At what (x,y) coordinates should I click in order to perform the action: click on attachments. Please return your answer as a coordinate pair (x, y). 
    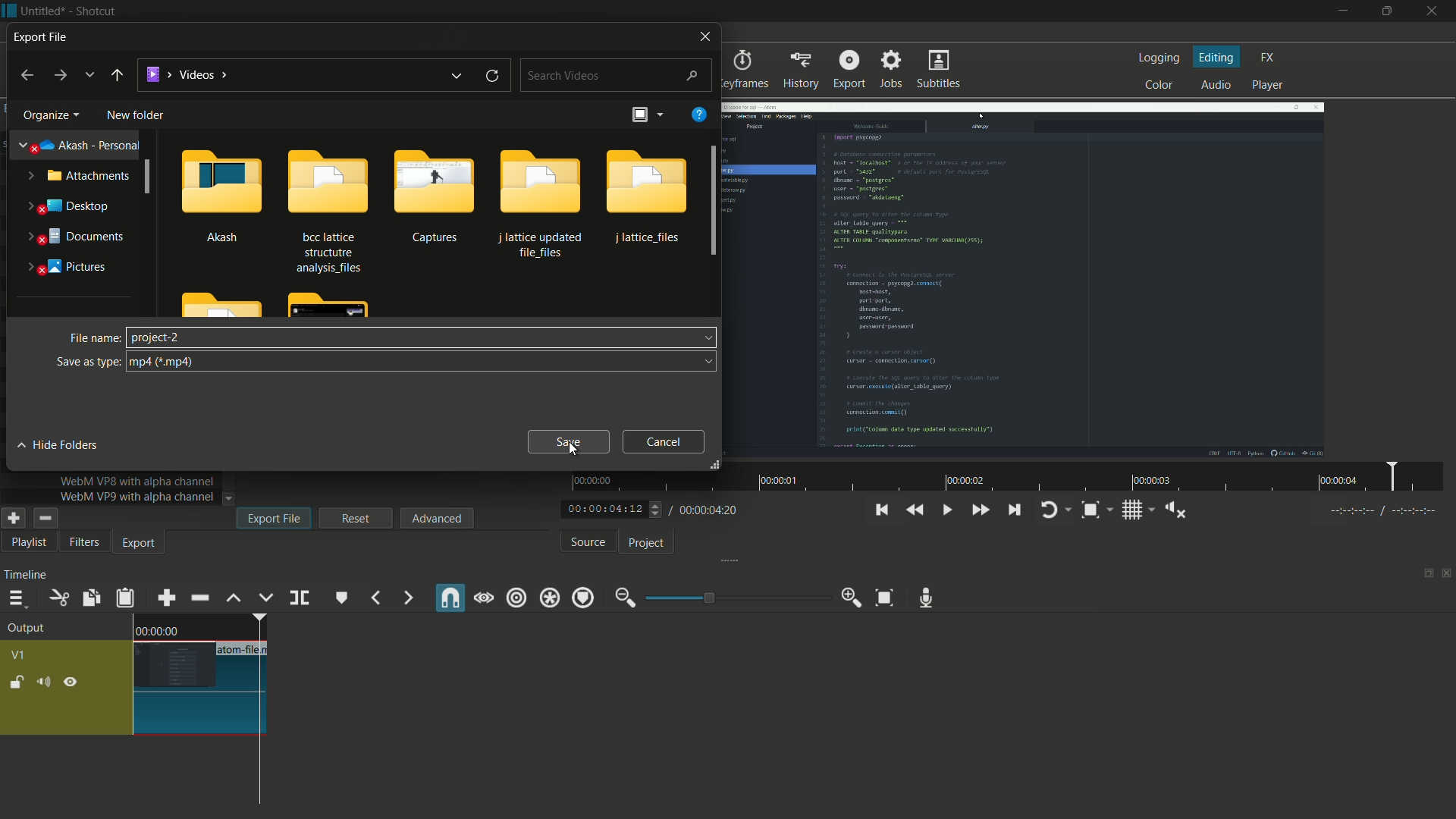
    Looking at the image, I should click on (80, 177).